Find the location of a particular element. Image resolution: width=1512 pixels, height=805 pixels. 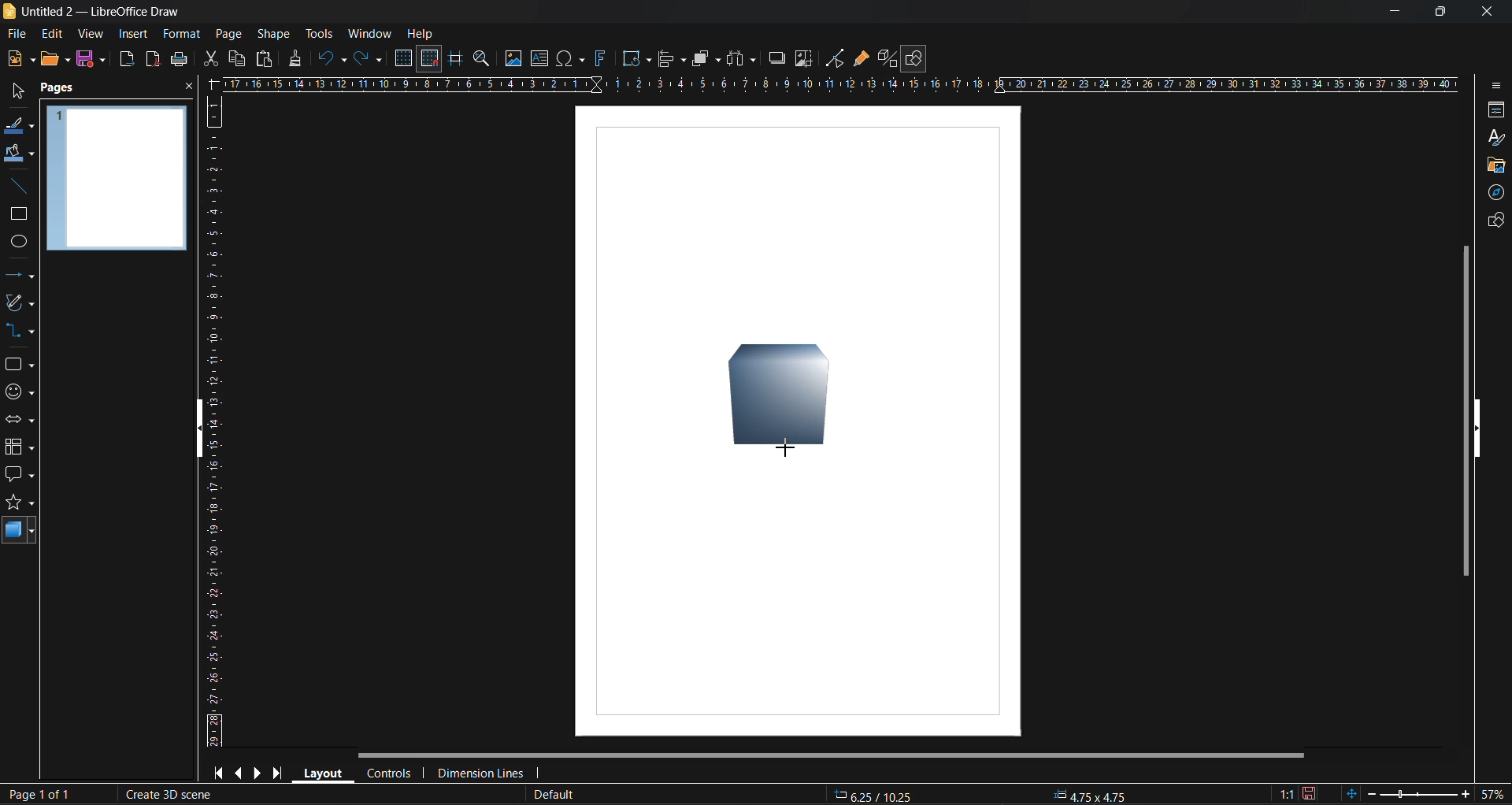

export is located at coordinates (128, 61).